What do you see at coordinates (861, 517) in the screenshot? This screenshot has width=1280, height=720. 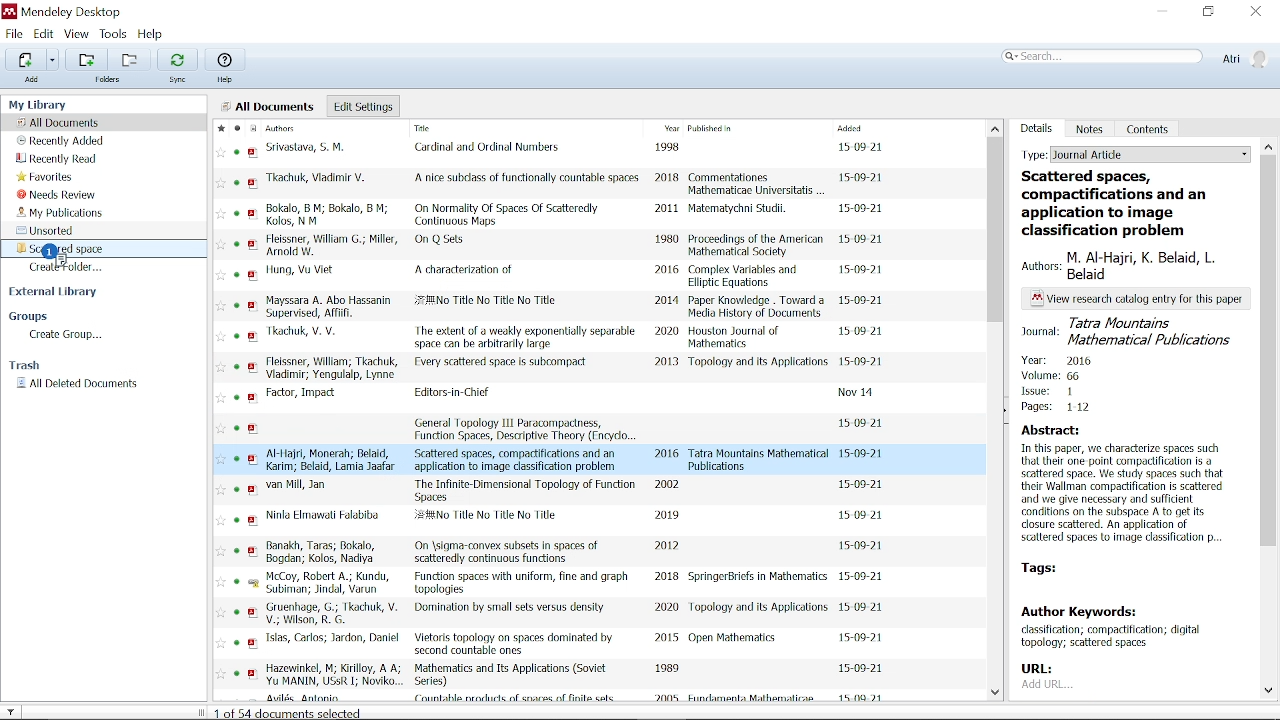 I see `date` at bounding box center [861, 517].